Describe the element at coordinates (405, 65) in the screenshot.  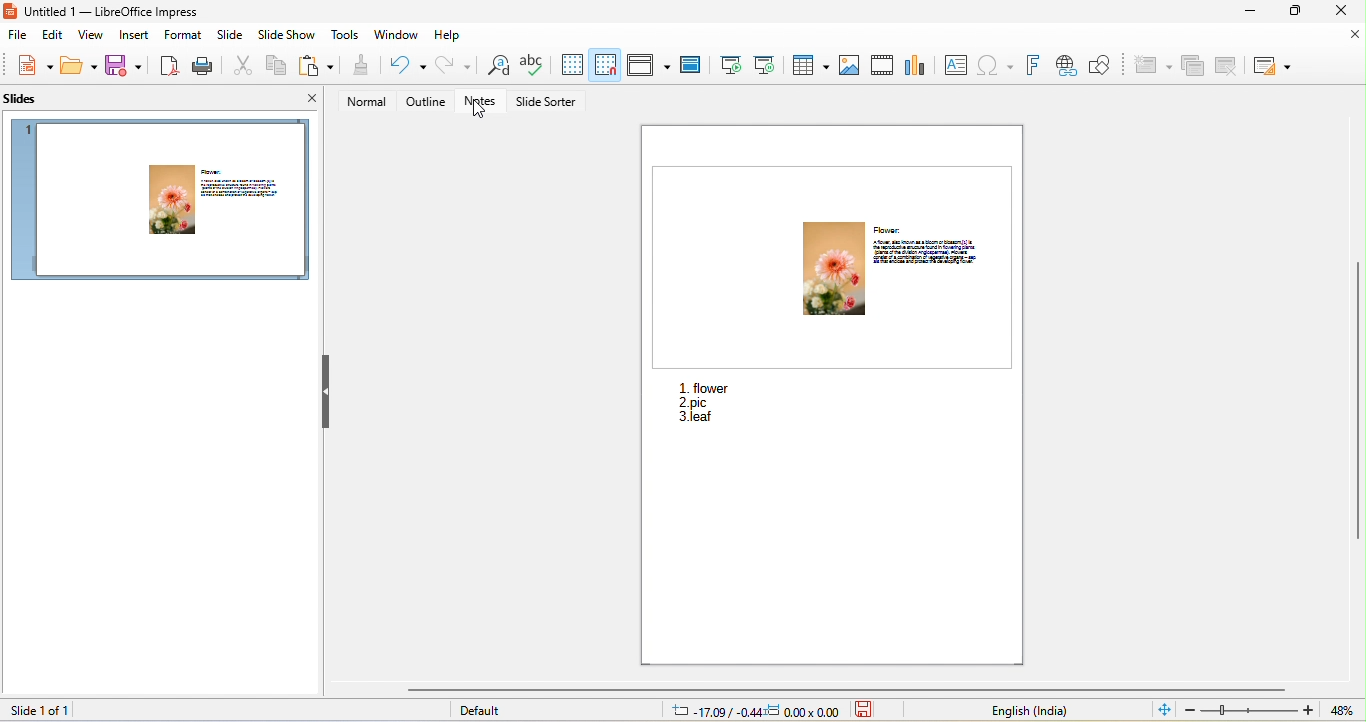
I see `undo` at that location.